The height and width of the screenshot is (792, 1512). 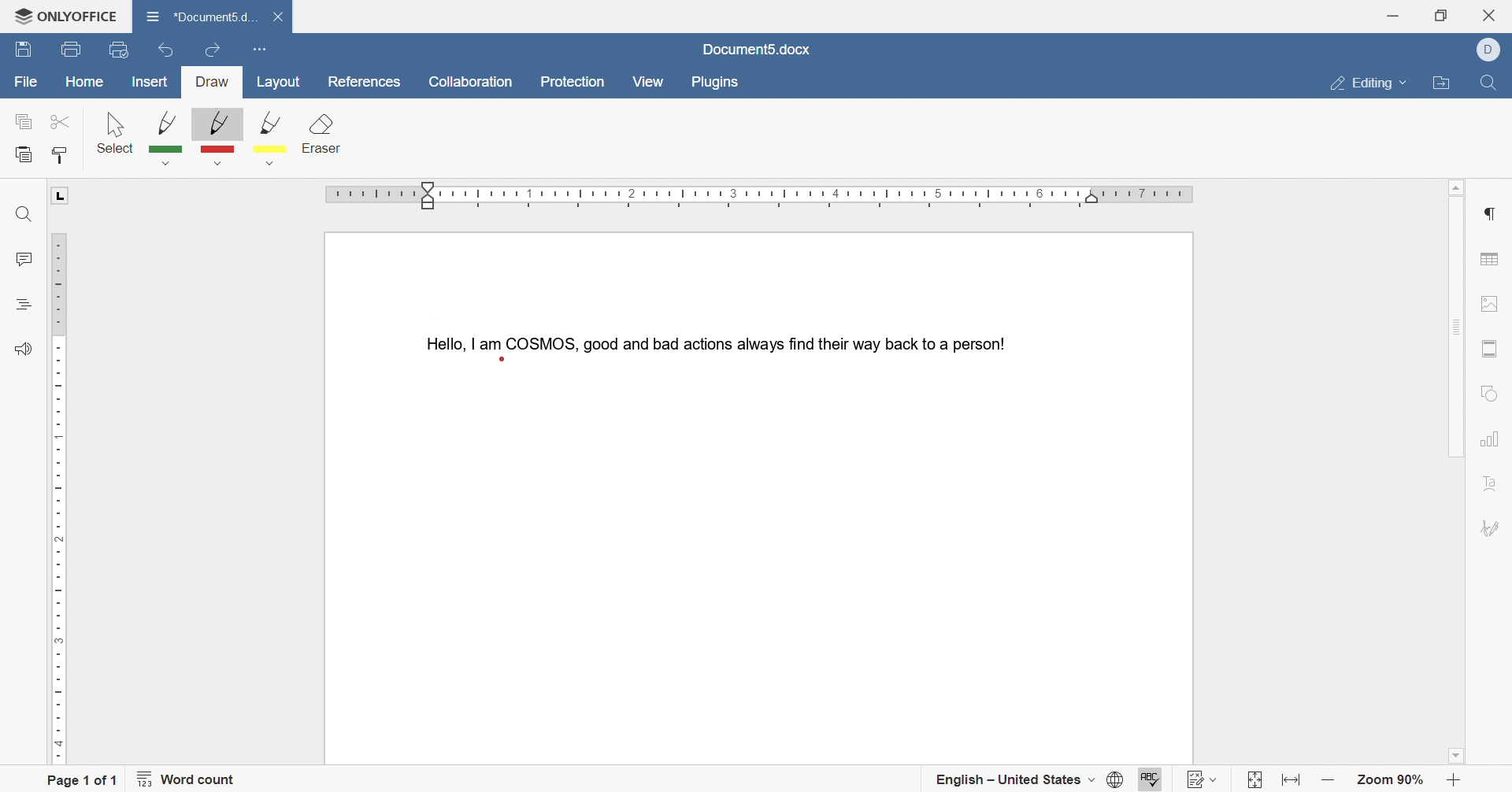 I want to click on customize quick access toolbar, so click(x=258, y=47).